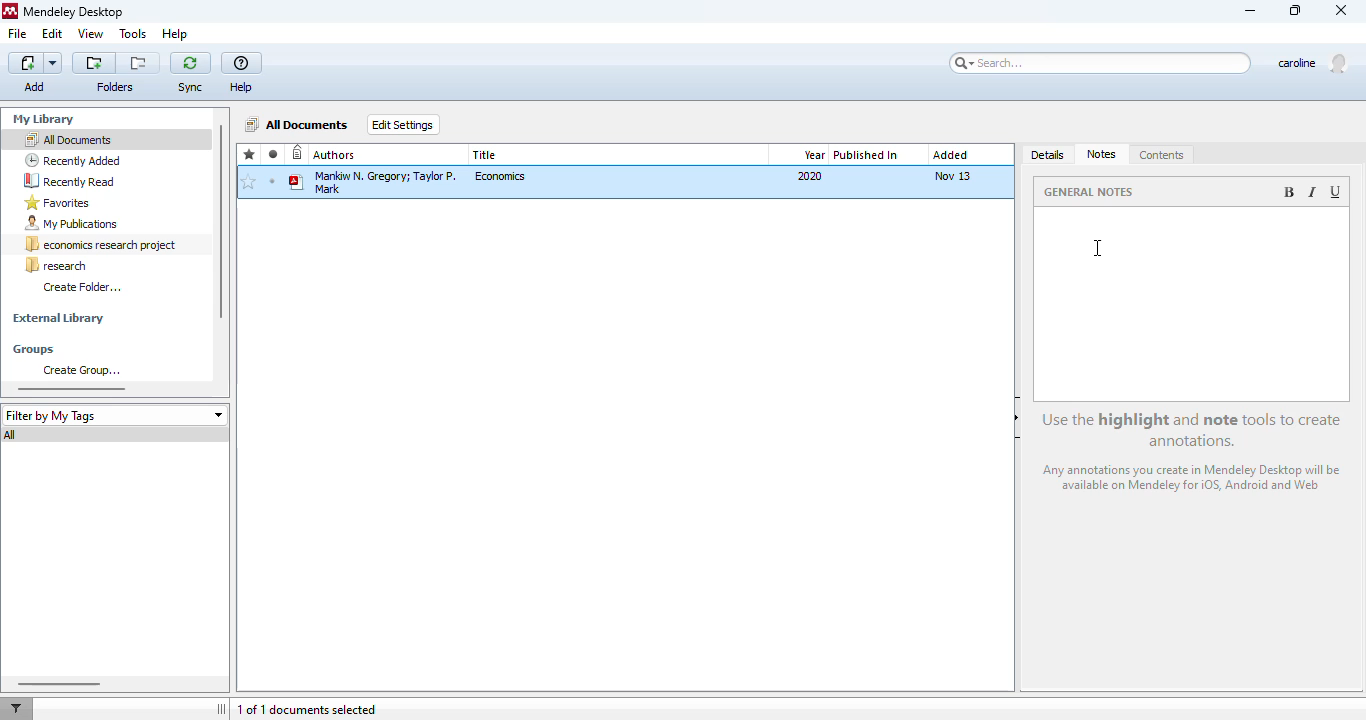 The width and height of the screenshot is (1366, 720). I want to click on filter by my tags, so click(114, 415).